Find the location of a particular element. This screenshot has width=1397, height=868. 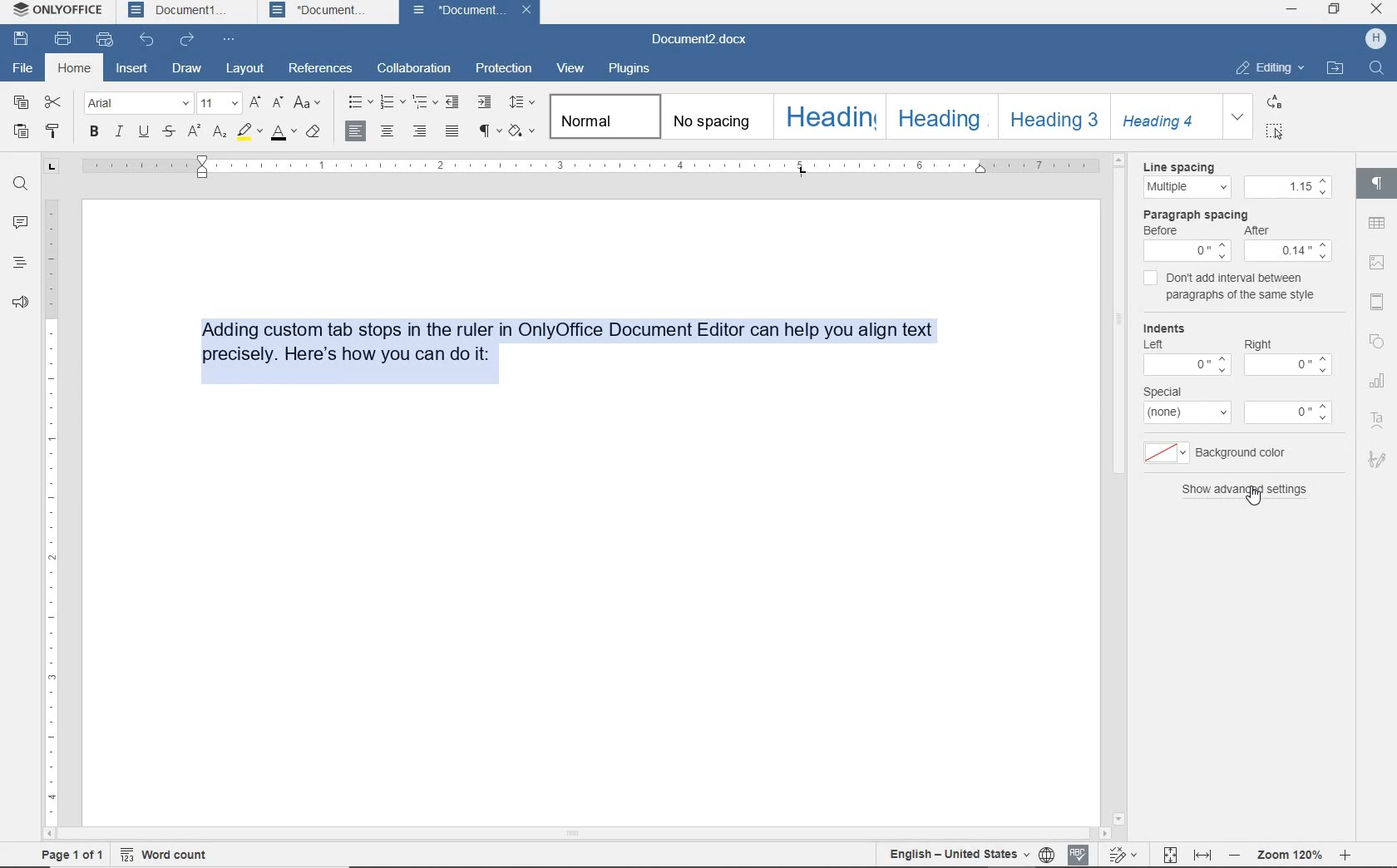

zoom out is located at coordinates (1236, 856).